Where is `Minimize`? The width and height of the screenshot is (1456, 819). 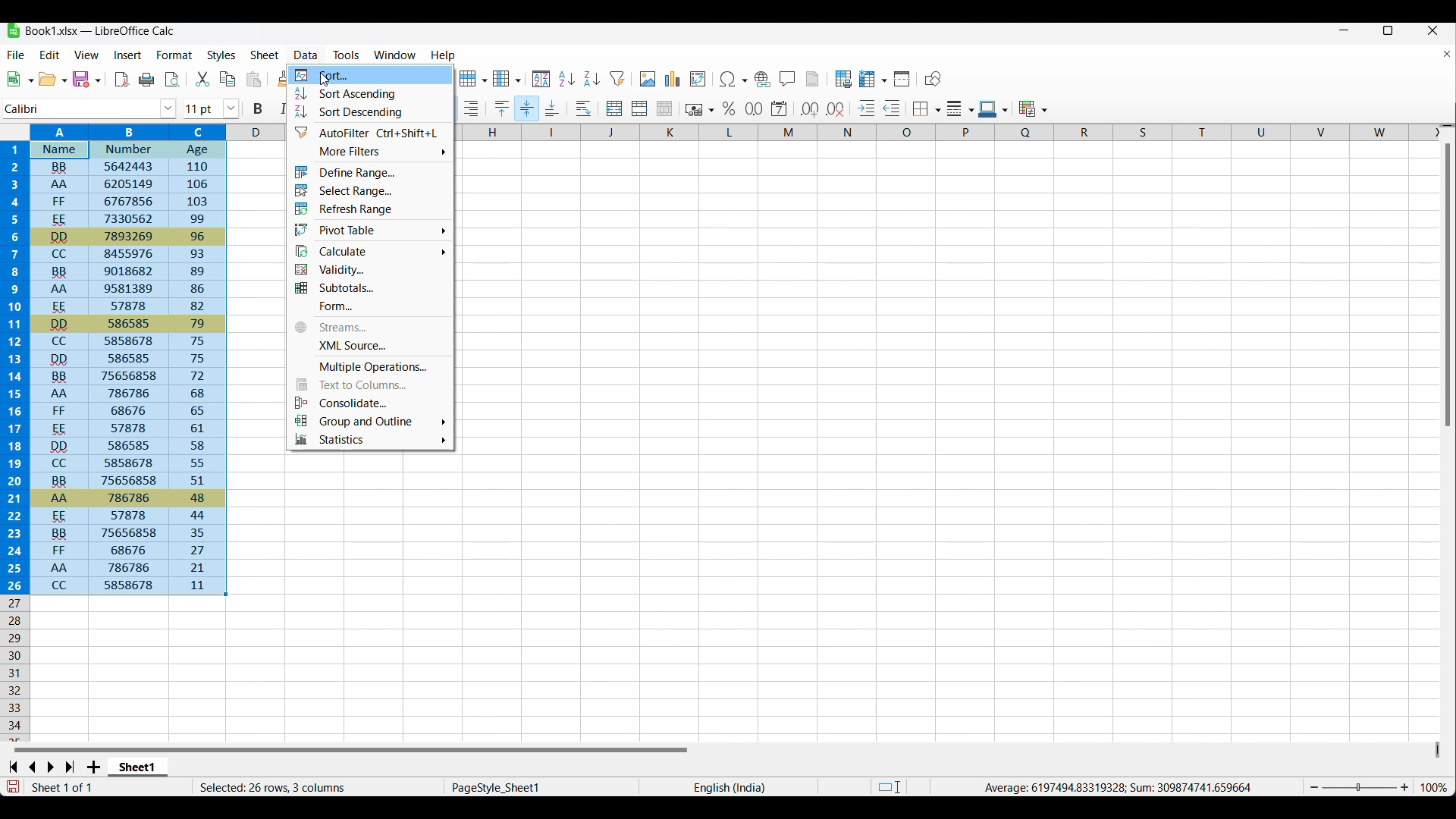 Minimize is located at coordinates (1345, 30).